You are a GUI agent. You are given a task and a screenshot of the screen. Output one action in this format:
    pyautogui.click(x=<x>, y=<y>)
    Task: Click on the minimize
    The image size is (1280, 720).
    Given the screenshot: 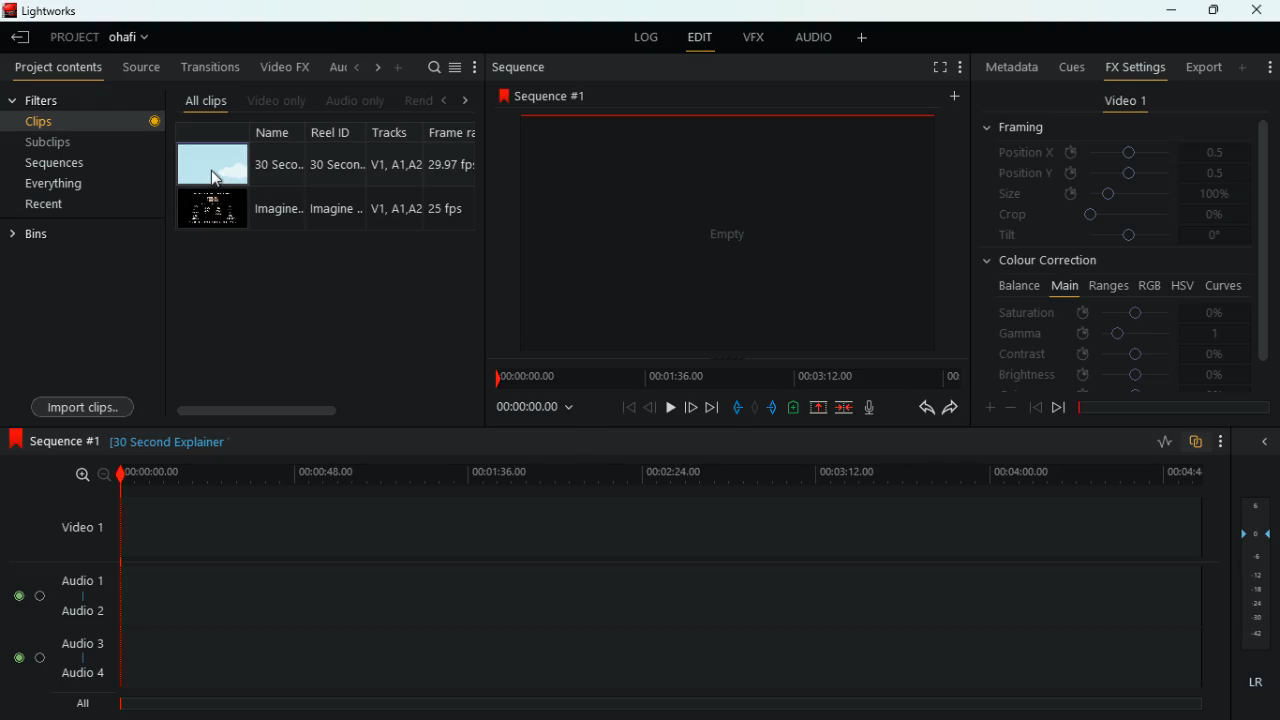 What is the action you would take?
    pyautogui.click(x=1171, y=12)
    